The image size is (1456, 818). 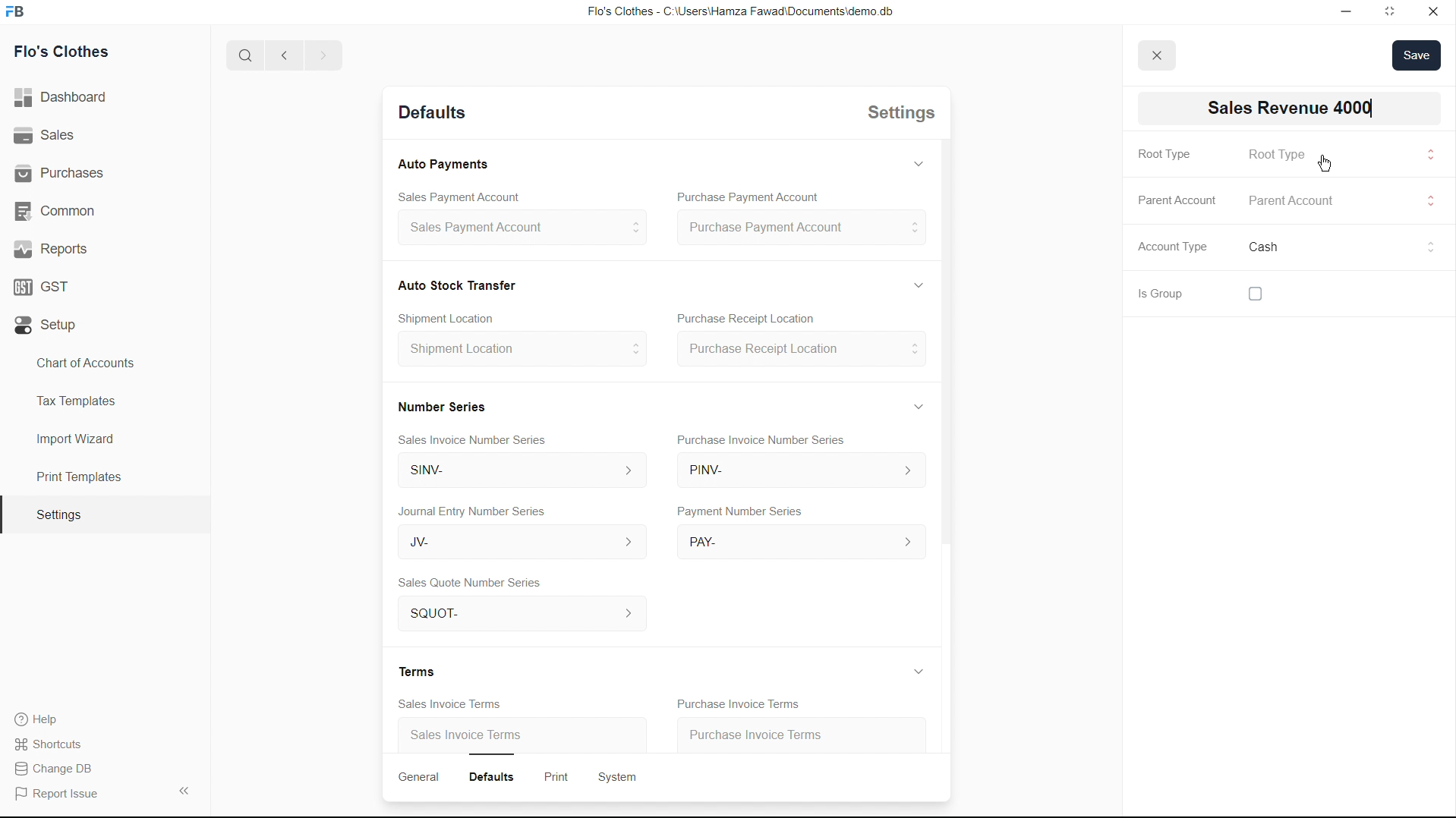 I want to click on Is Group, so click(x=1154, y=296).